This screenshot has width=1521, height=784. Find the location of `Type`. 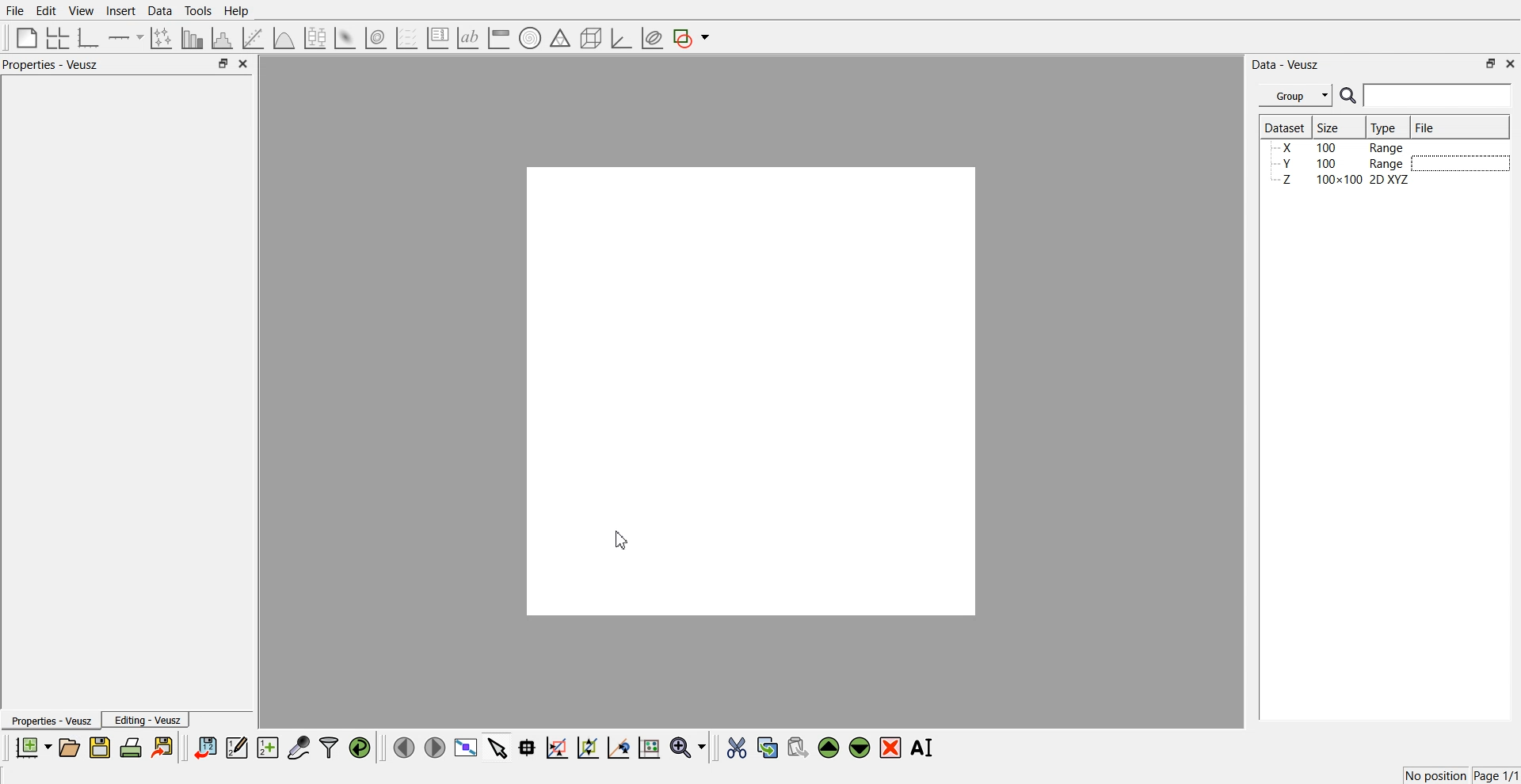

Type is located at coordinates (1386, 127).